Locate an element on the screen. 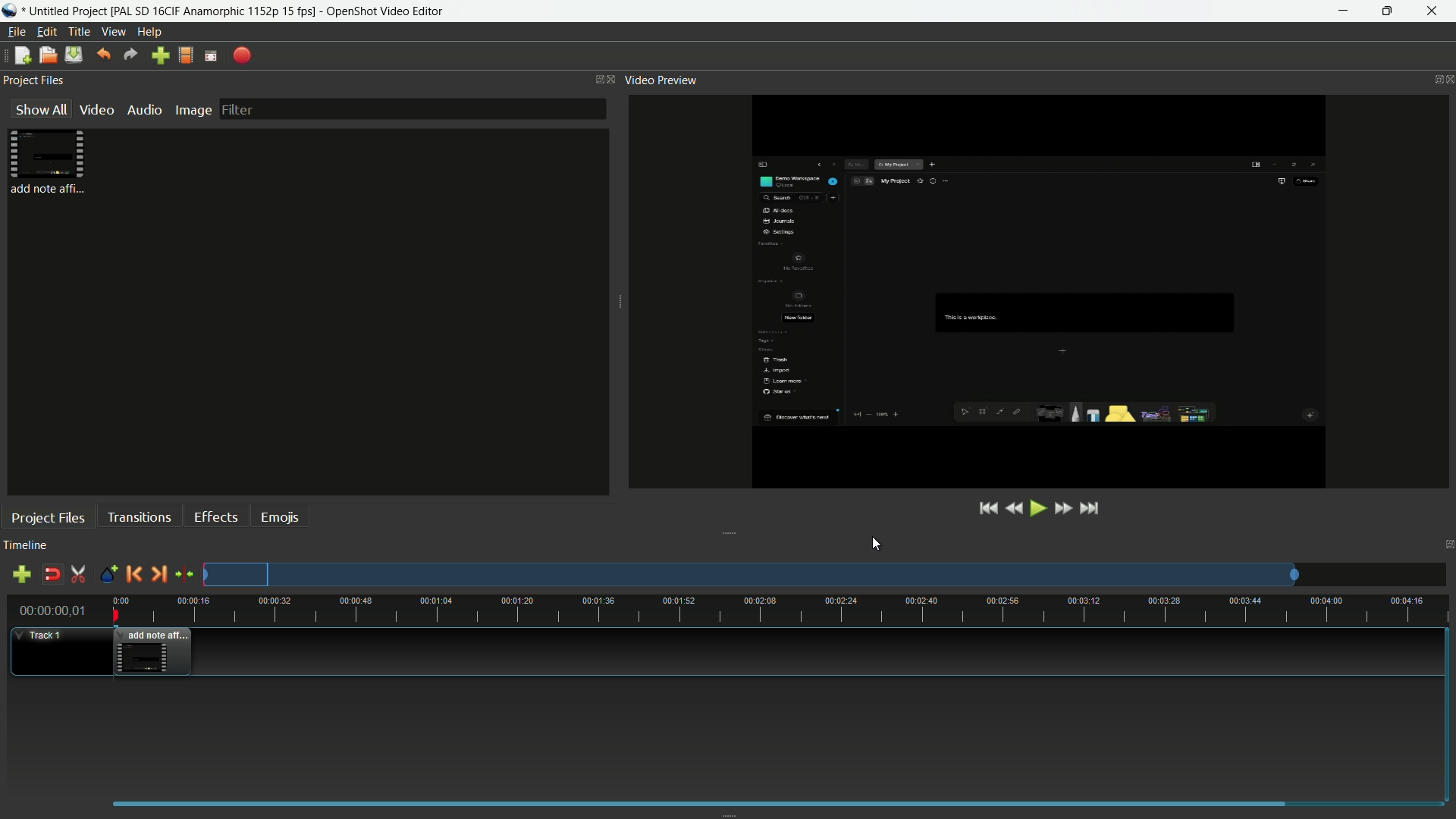  close timeline is located at coordinates (1447, 545).